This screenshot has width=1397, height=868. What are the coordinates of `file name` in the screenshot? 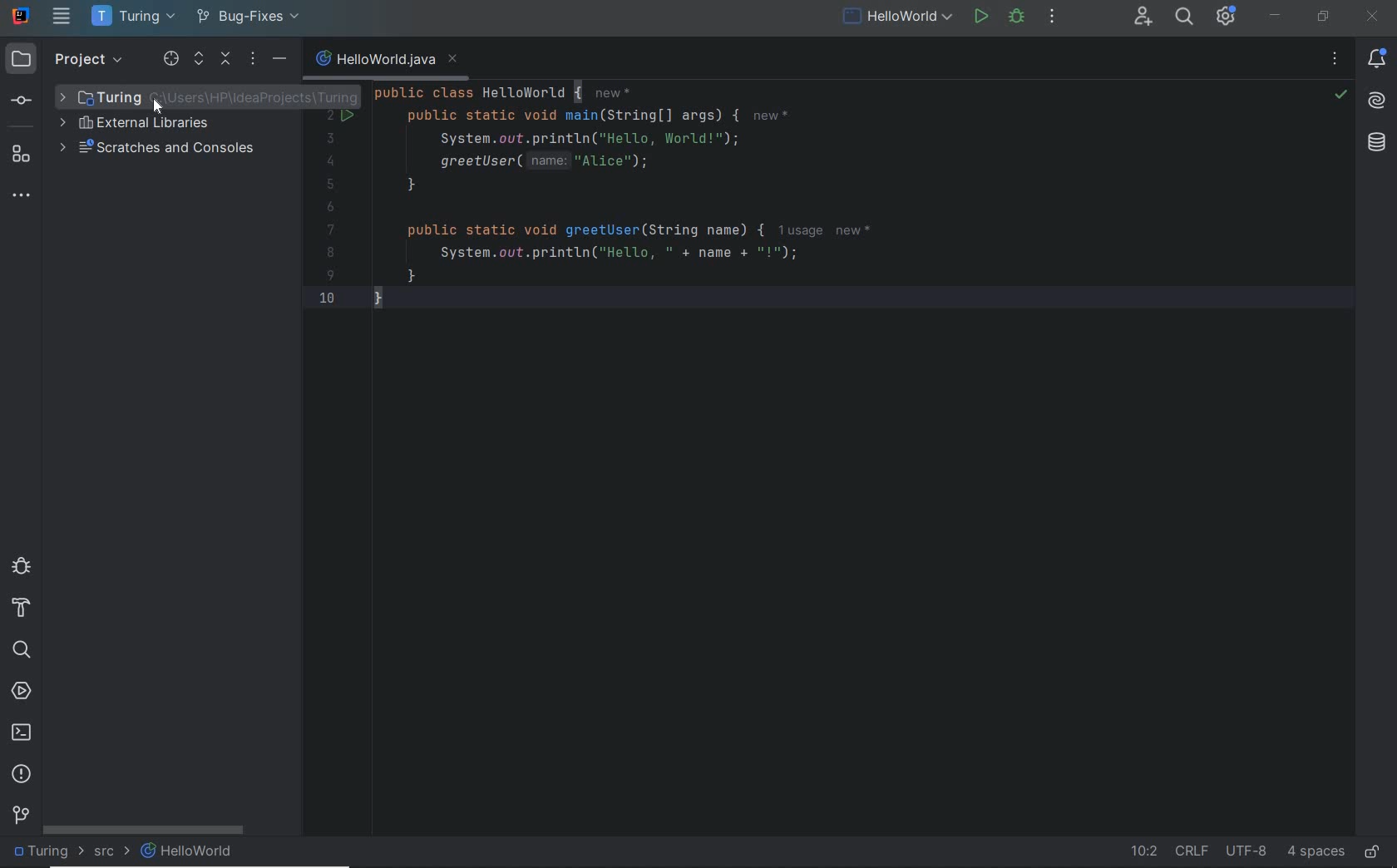 It's located at (188, 852).